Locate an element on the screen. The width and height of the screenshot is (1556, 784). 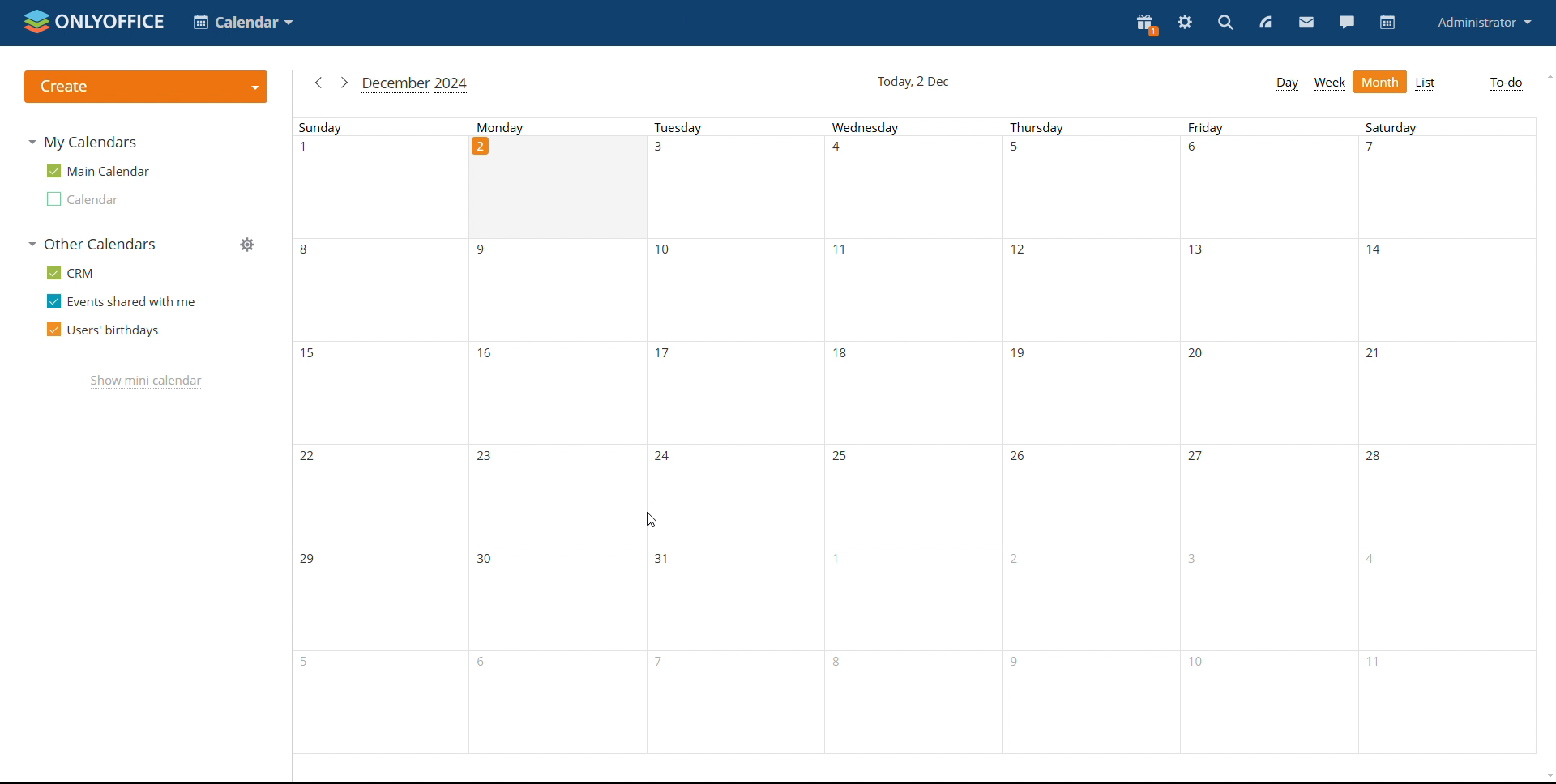
users' birthdays is located at coordinates (102, 331).